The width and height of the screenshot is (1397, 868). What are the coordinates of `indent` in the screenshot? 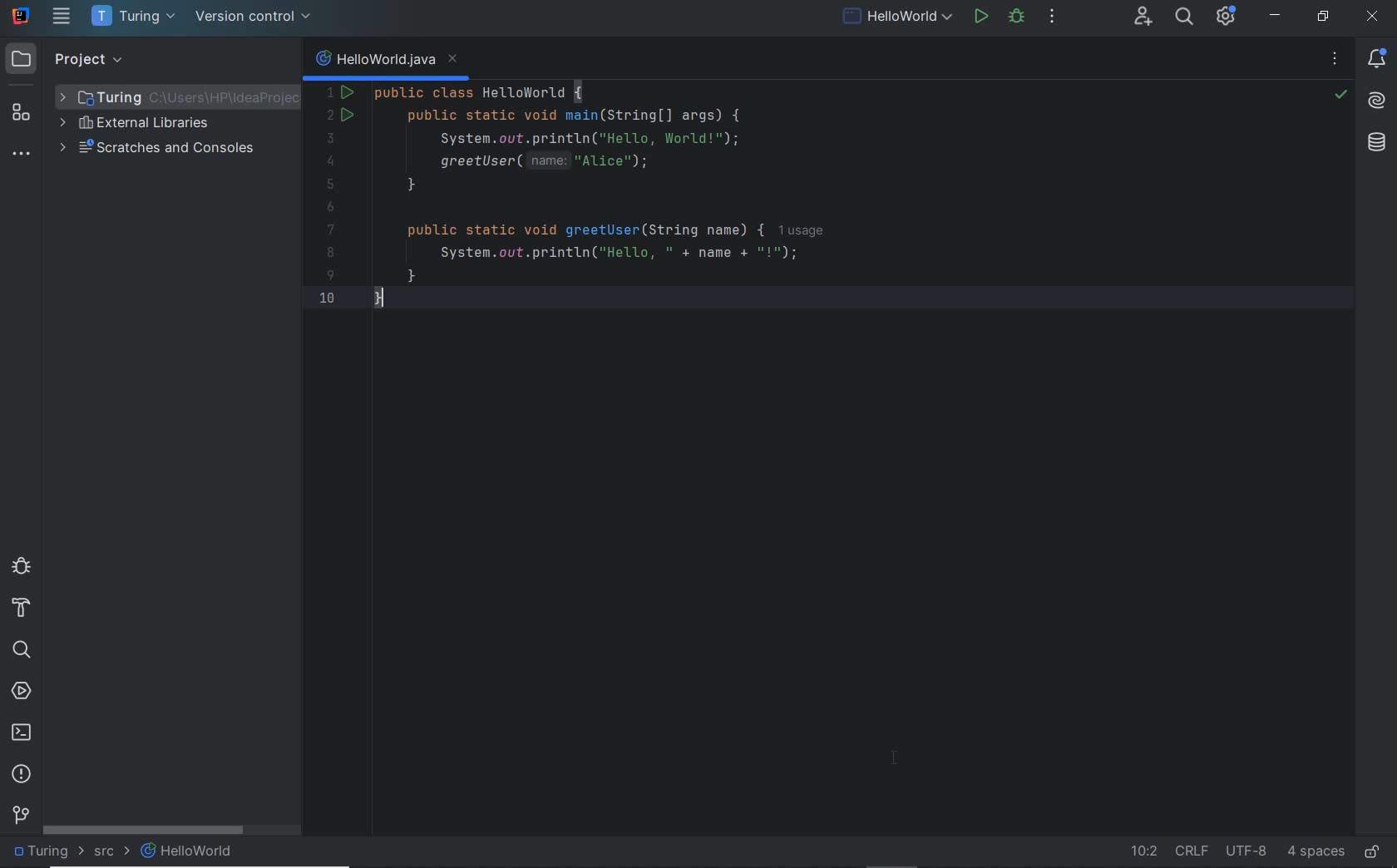 It's located at (1316, 852).